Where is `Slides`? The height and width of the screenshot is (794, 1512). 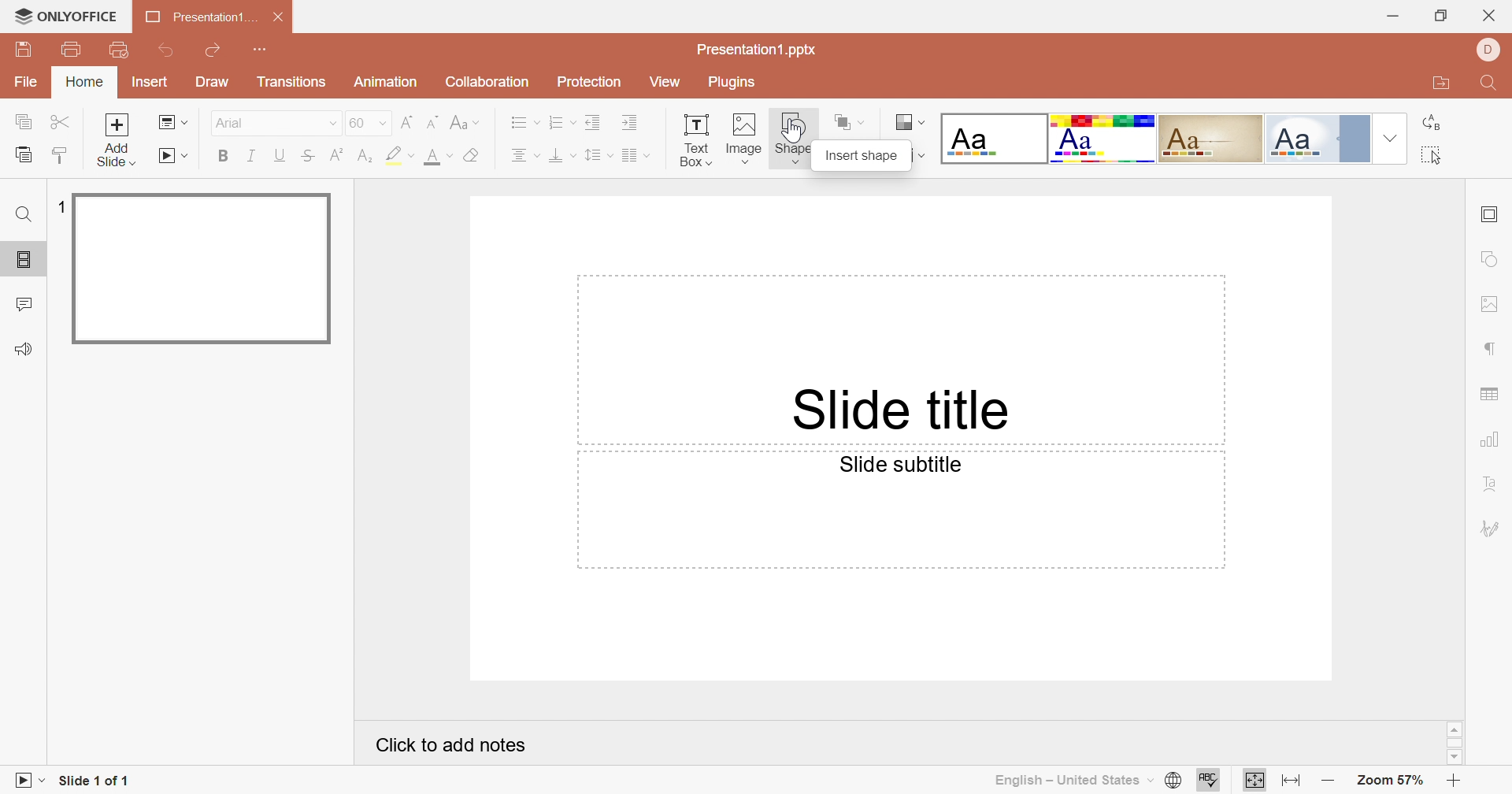 Slides is located at coordinates (24, 257).